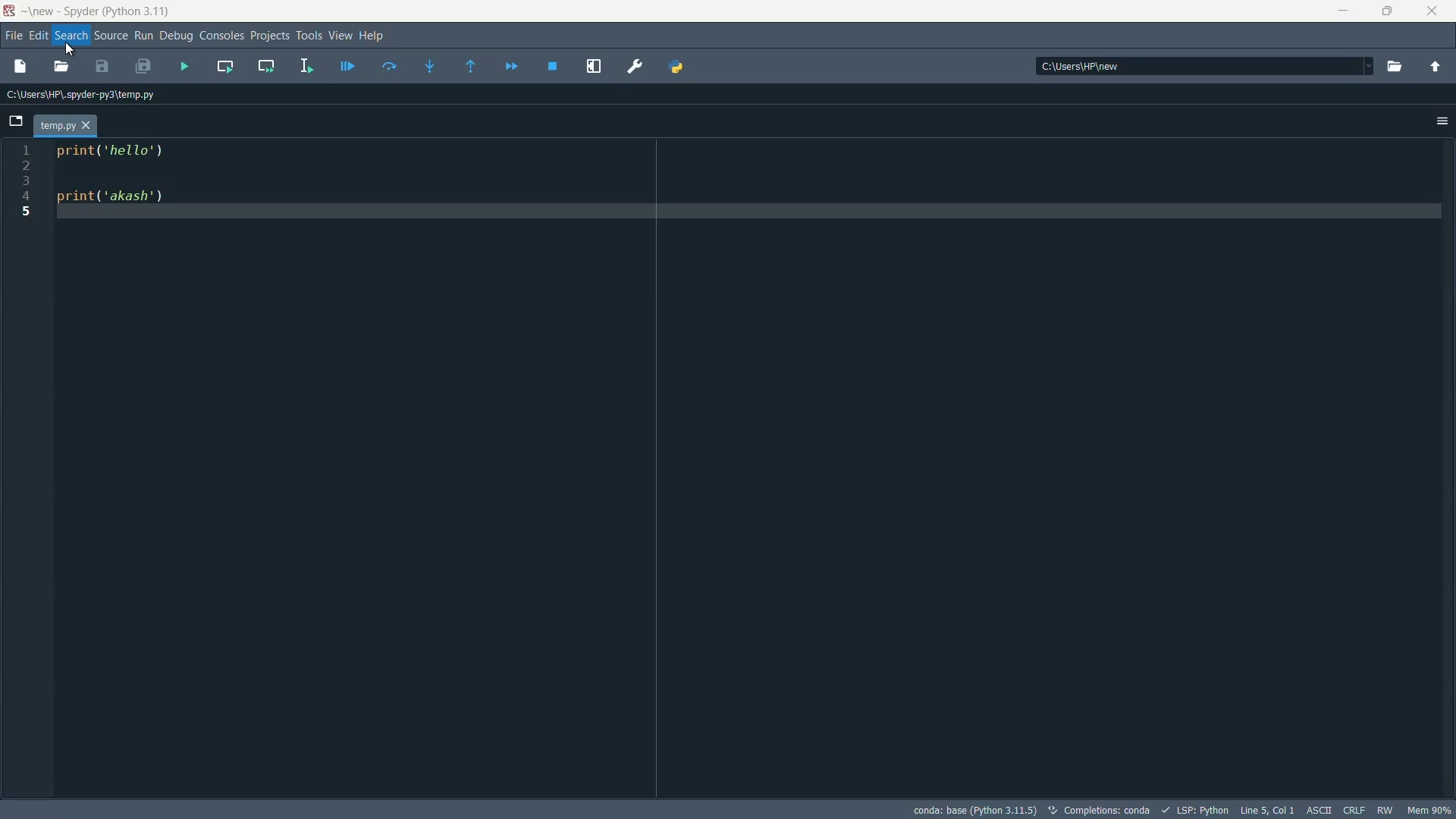 The image size is (1456, 819). I want to click on print('hello') print('akash'), so click(750, 186).